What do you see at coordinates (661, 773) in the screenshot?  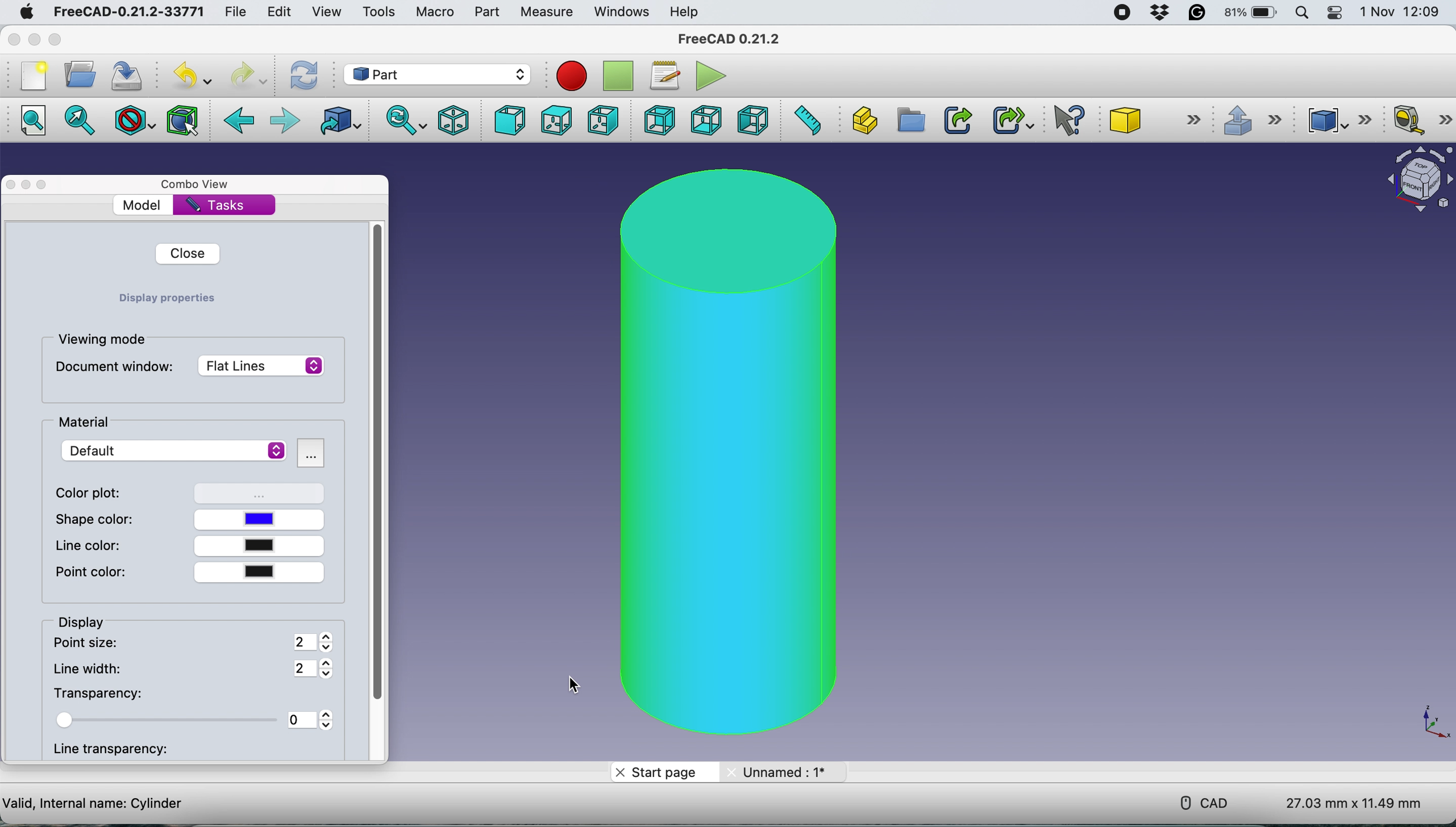 I see `start page` at bounding box center [661, 773].